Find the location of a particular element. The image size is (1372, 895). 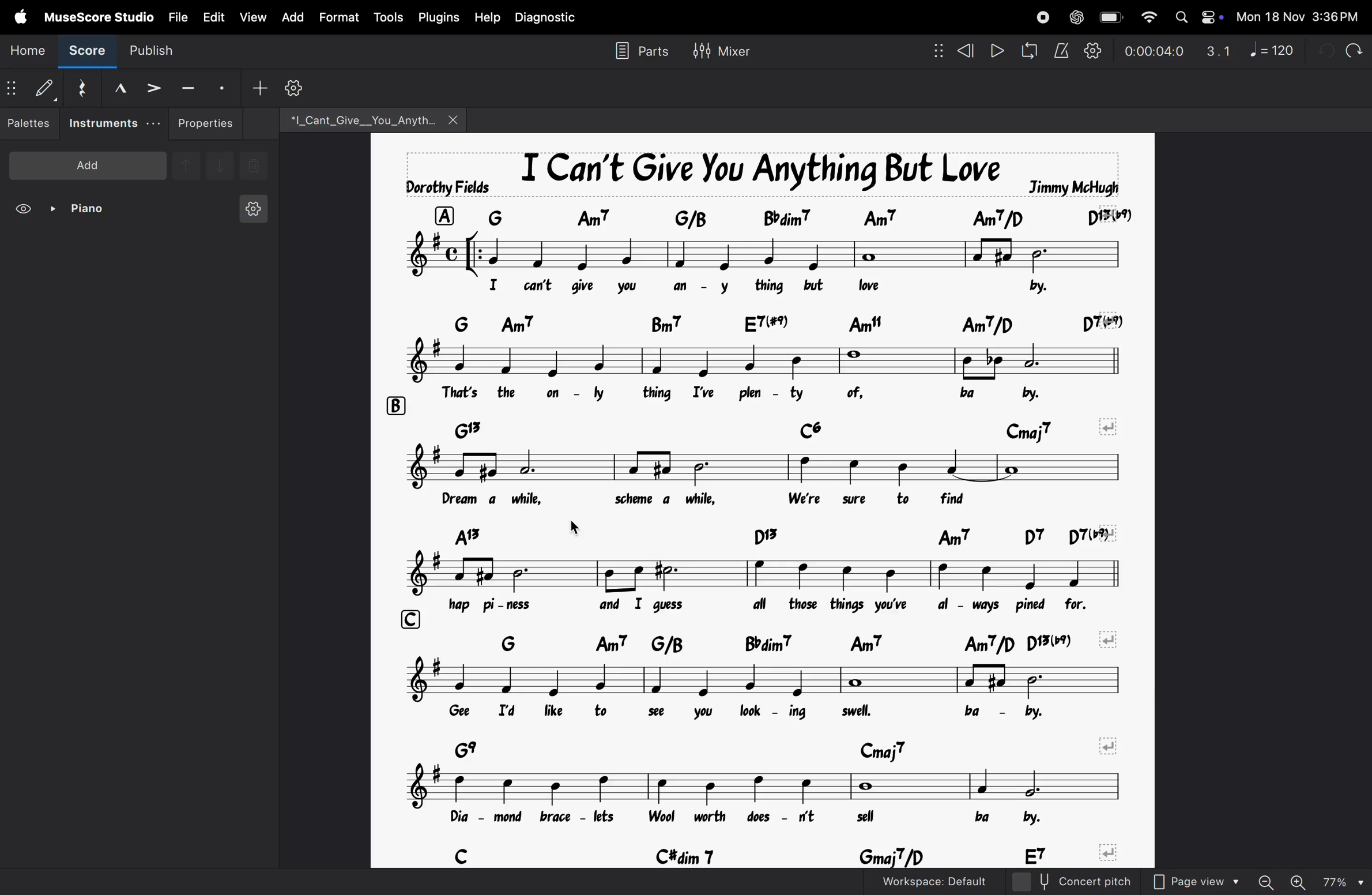

 default is located at coordinates (33, 87).